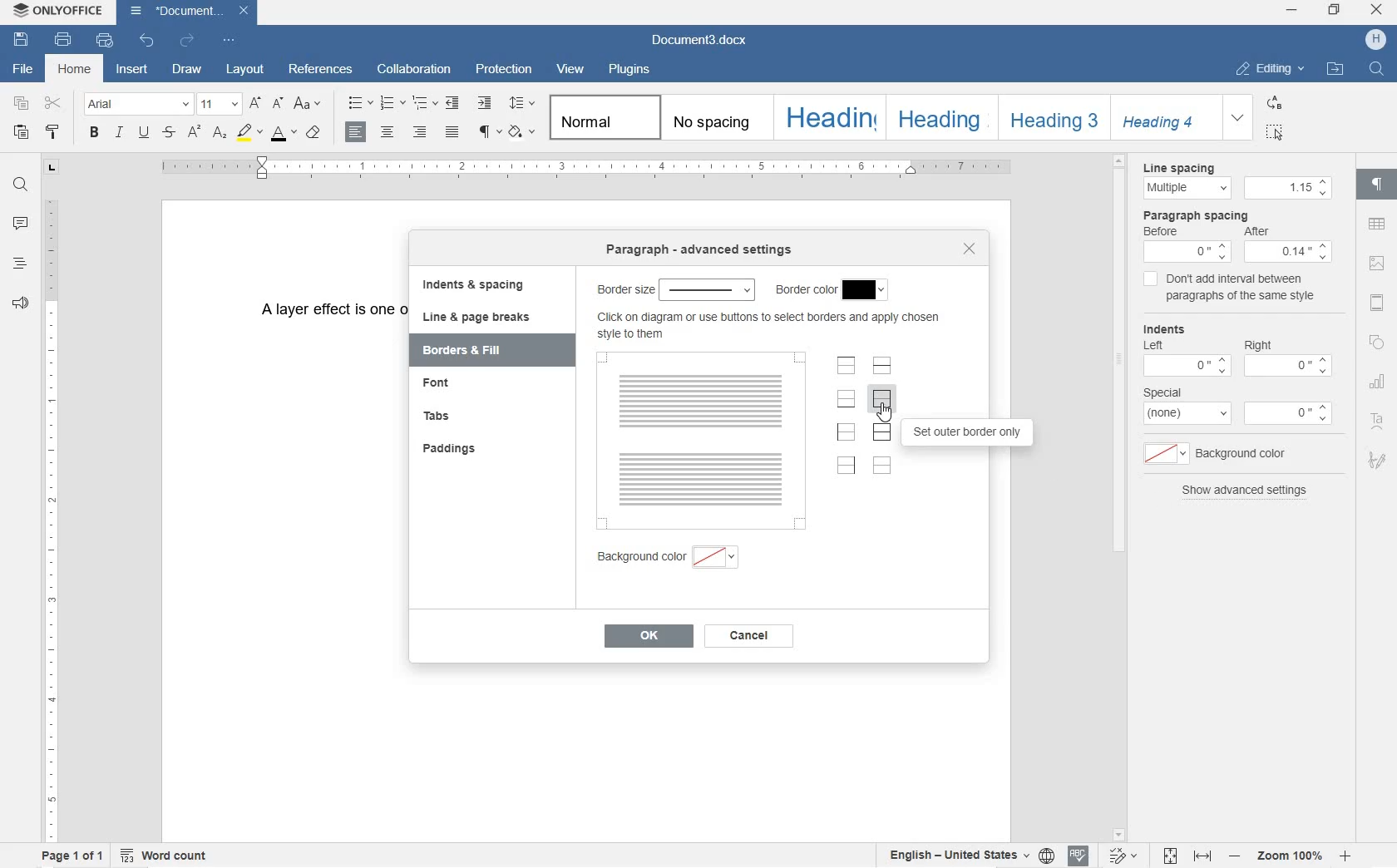 The height and width of the screenshot is (868, 1397). I want to click on FIND, so click(19, 185).